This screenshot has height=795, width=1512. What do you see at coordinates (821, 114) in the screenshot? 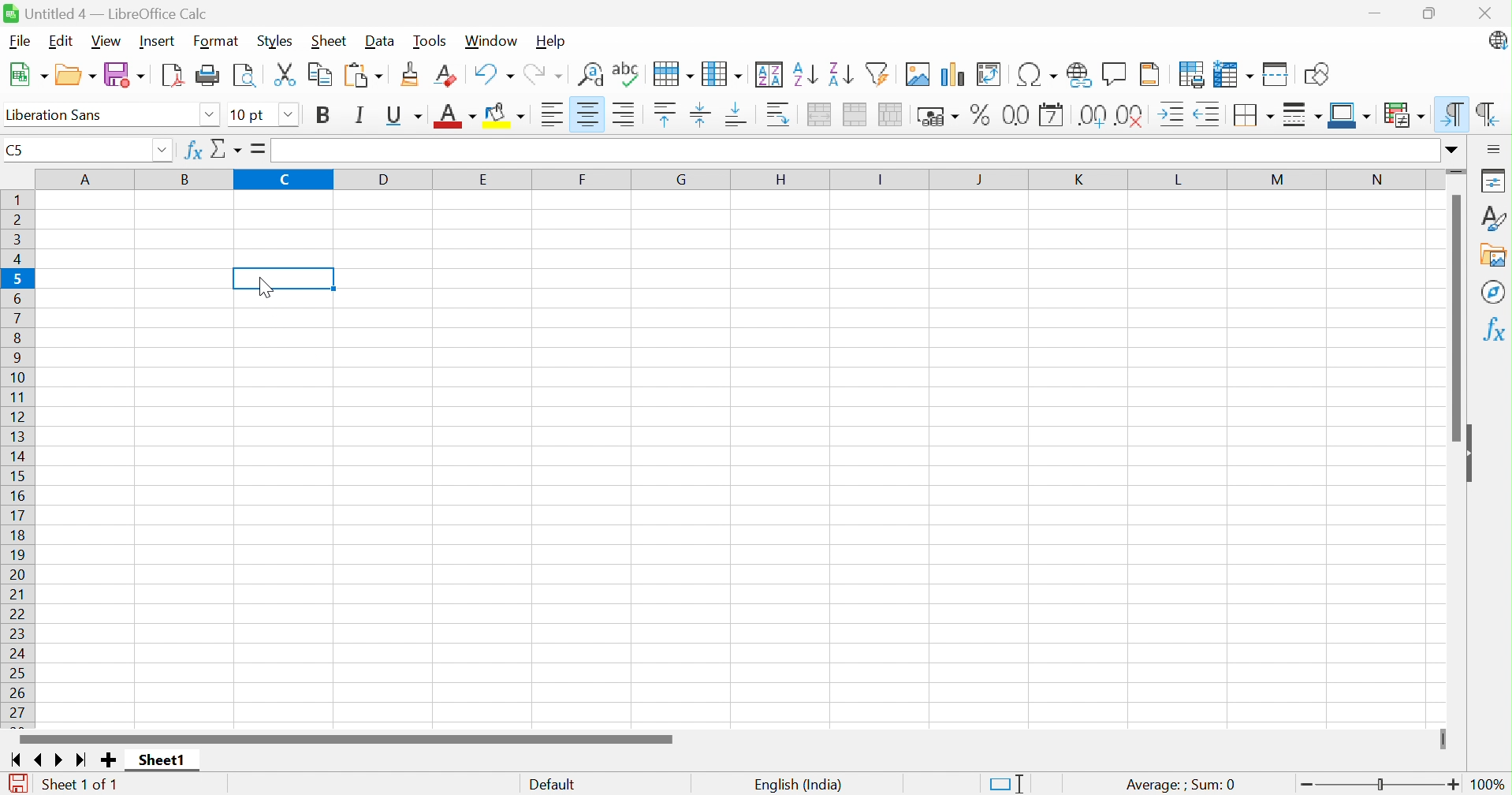
I see `Merge and center or unmerge cells depending on the current toggle status.` at bounding box center [821, 114].